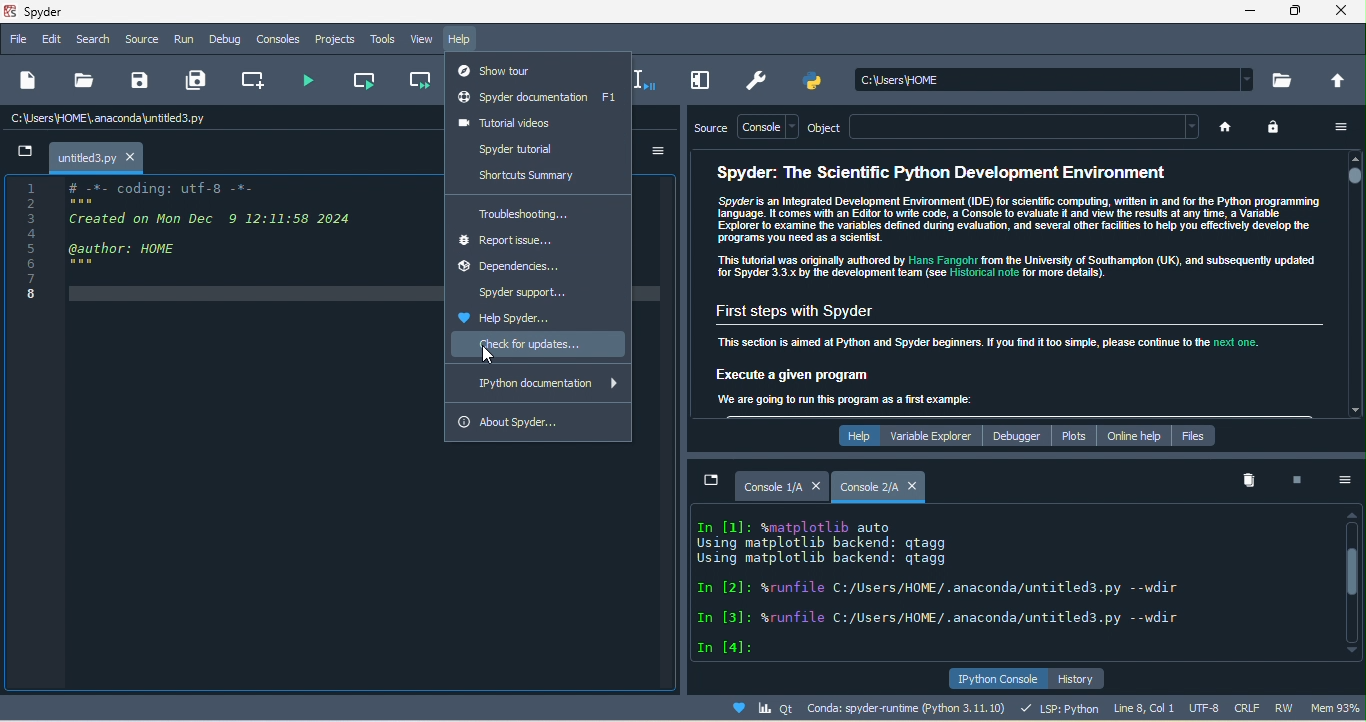 This screenshot has width=1366, height=722. Describe the element at coordinates (1278, 131) in the screenshot. I see `lock` at that location.